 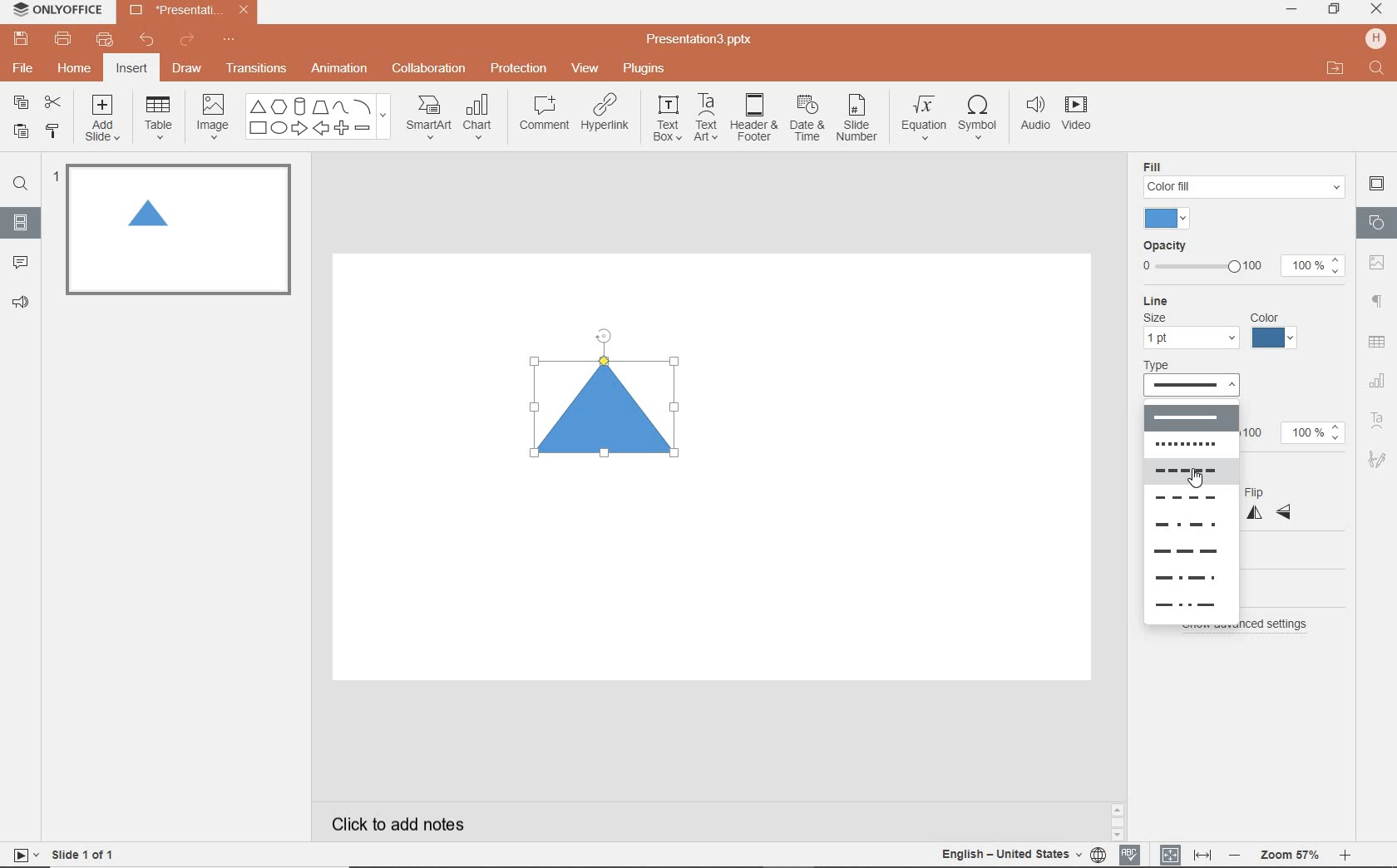 What do you see at coordinates (1377, 342) in the screenshot?
I see `TABLE SETTINGS` at bounding box center [1377, 342].